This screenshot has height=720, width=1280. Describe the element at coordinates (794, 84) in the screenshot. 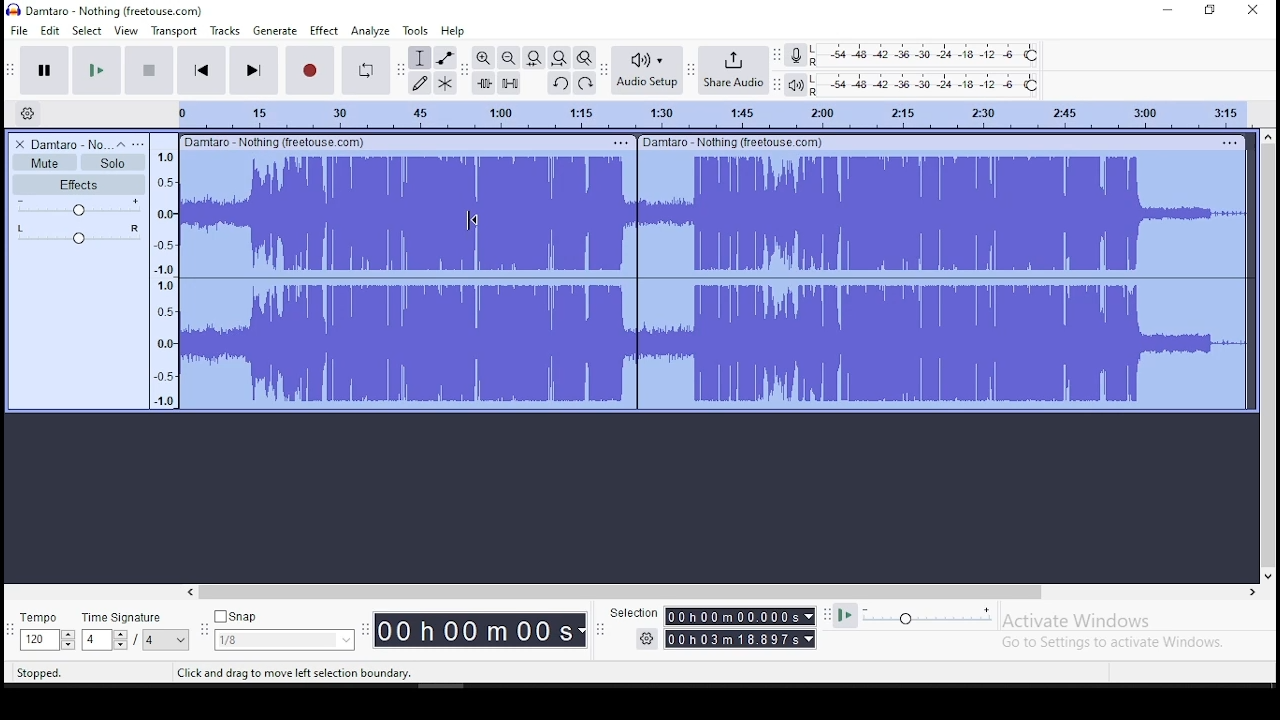

I see `playback meter` at that location.